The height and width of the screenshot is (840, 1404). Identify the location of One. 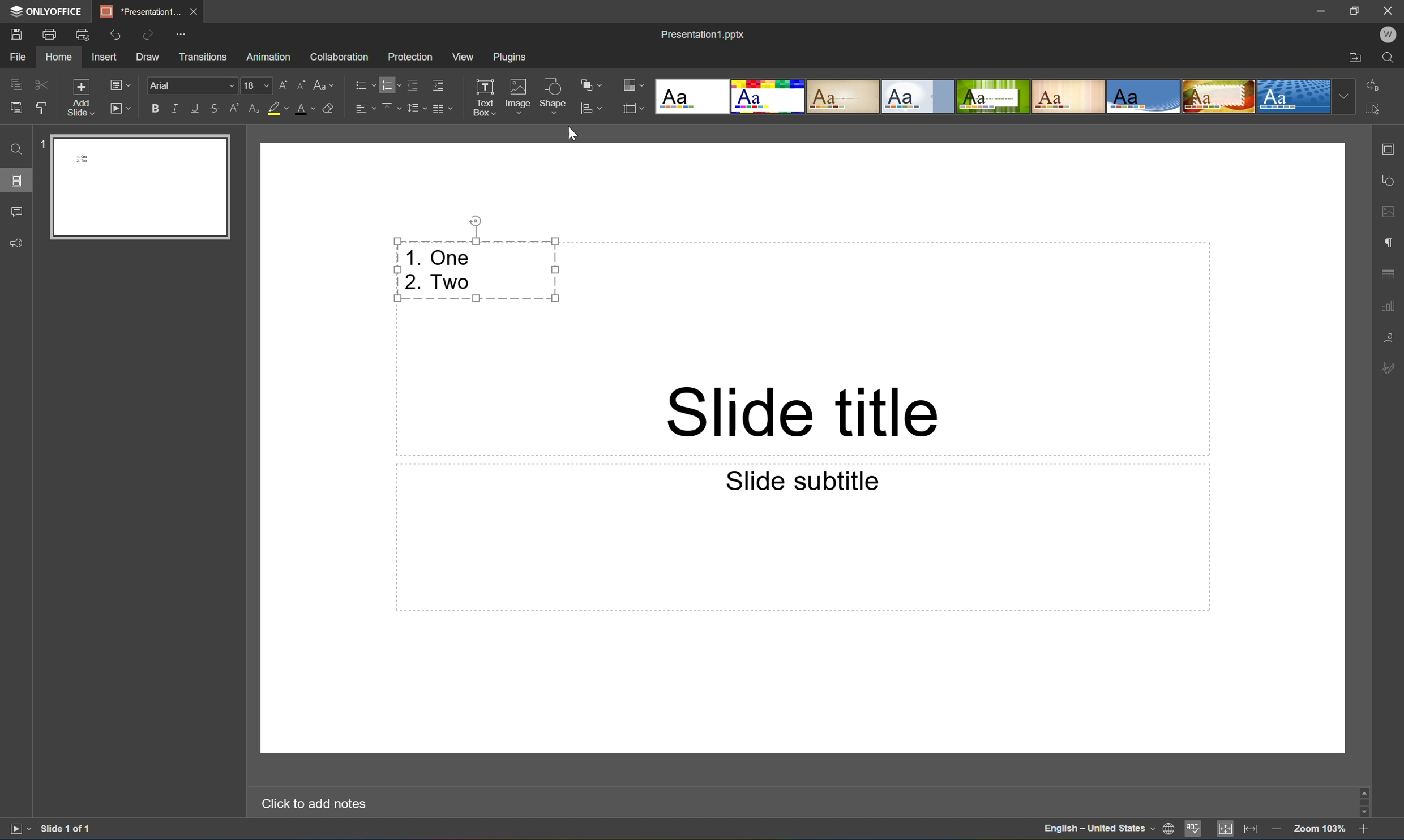
(451, 258).